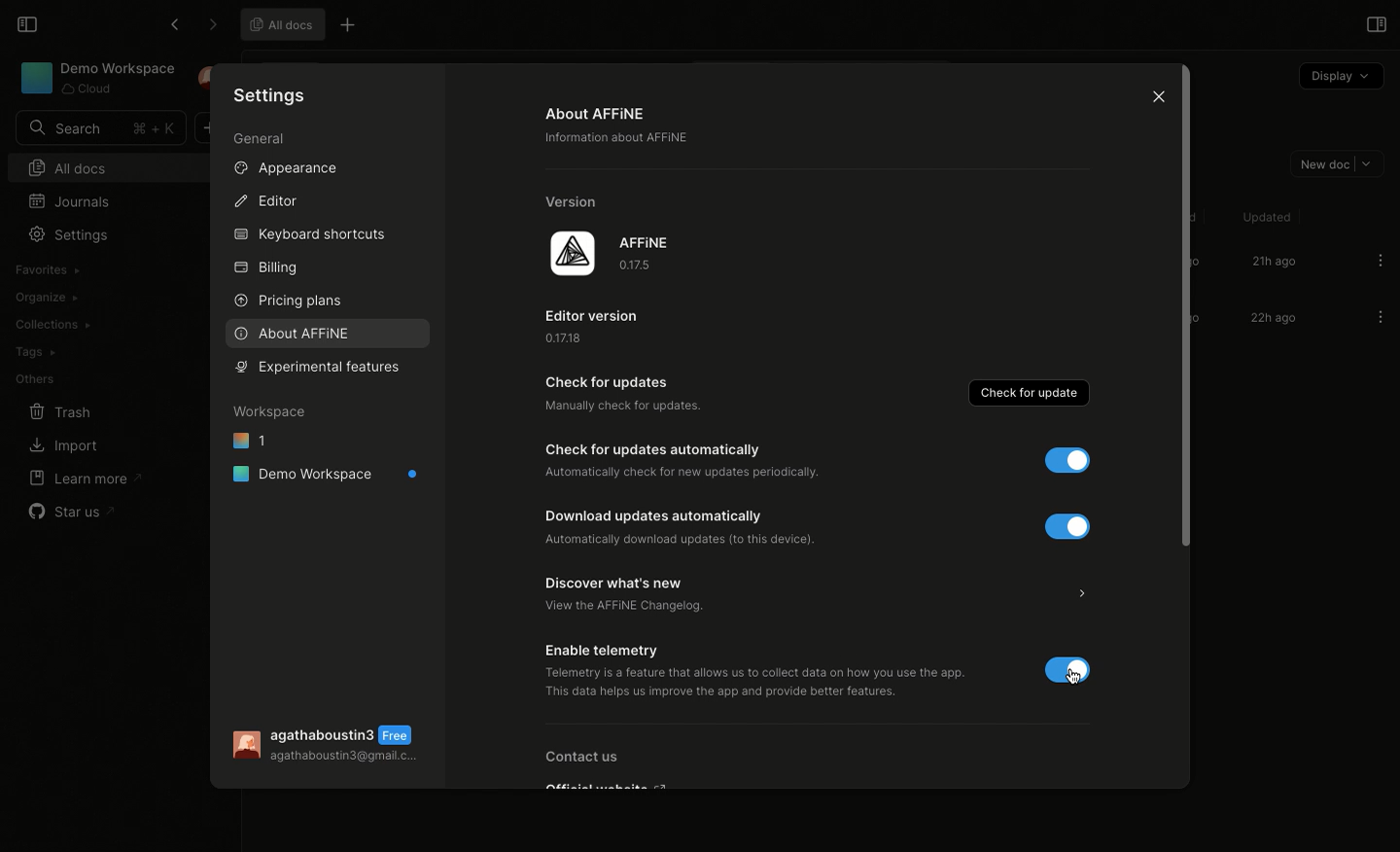 Image resolution: width=1400 pixels, height=852 pixels. I want to click on Selecting features, so click(327, 367).